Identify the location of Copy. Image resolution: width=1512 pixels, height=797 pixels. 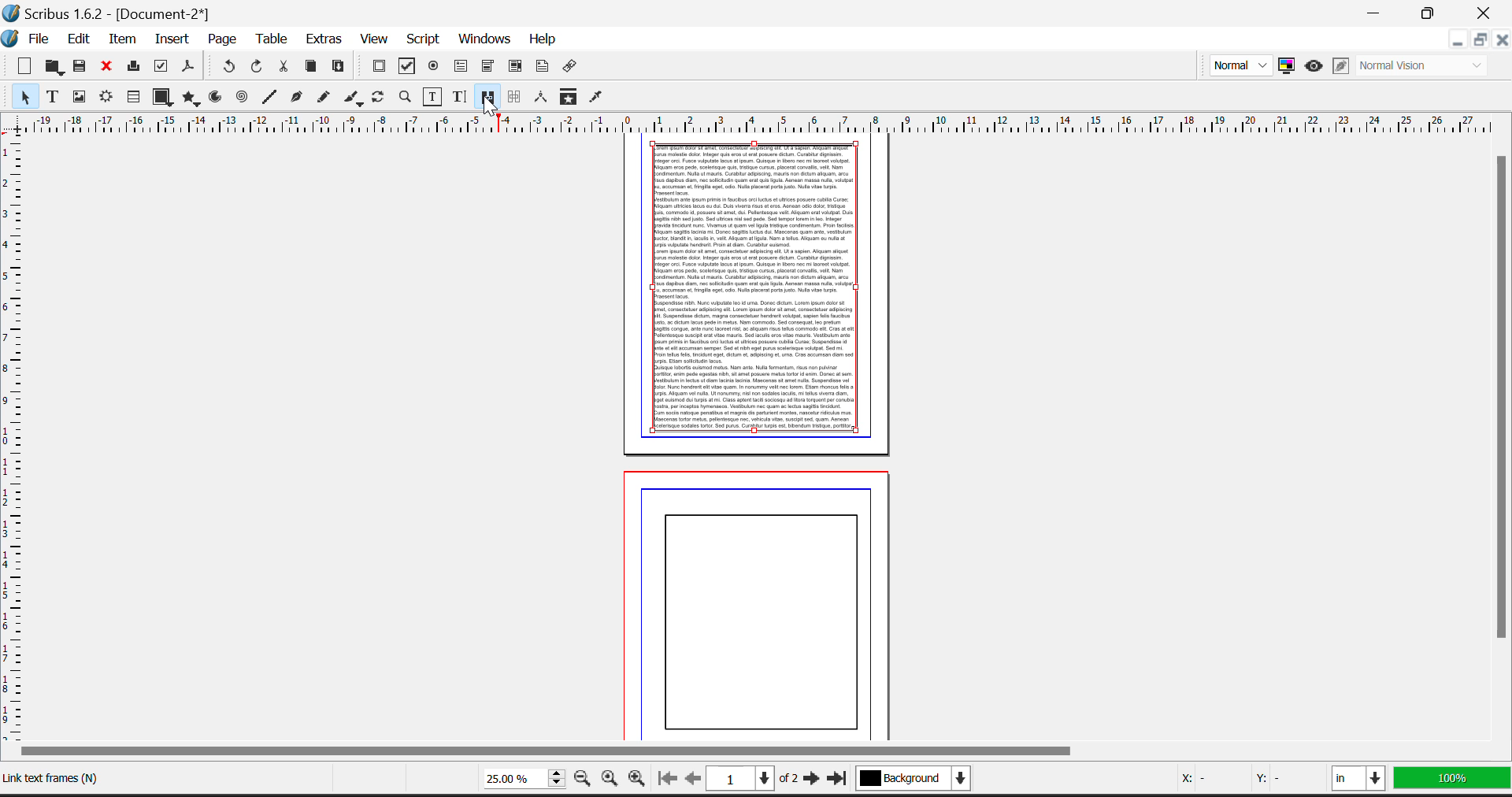
(312, 68).